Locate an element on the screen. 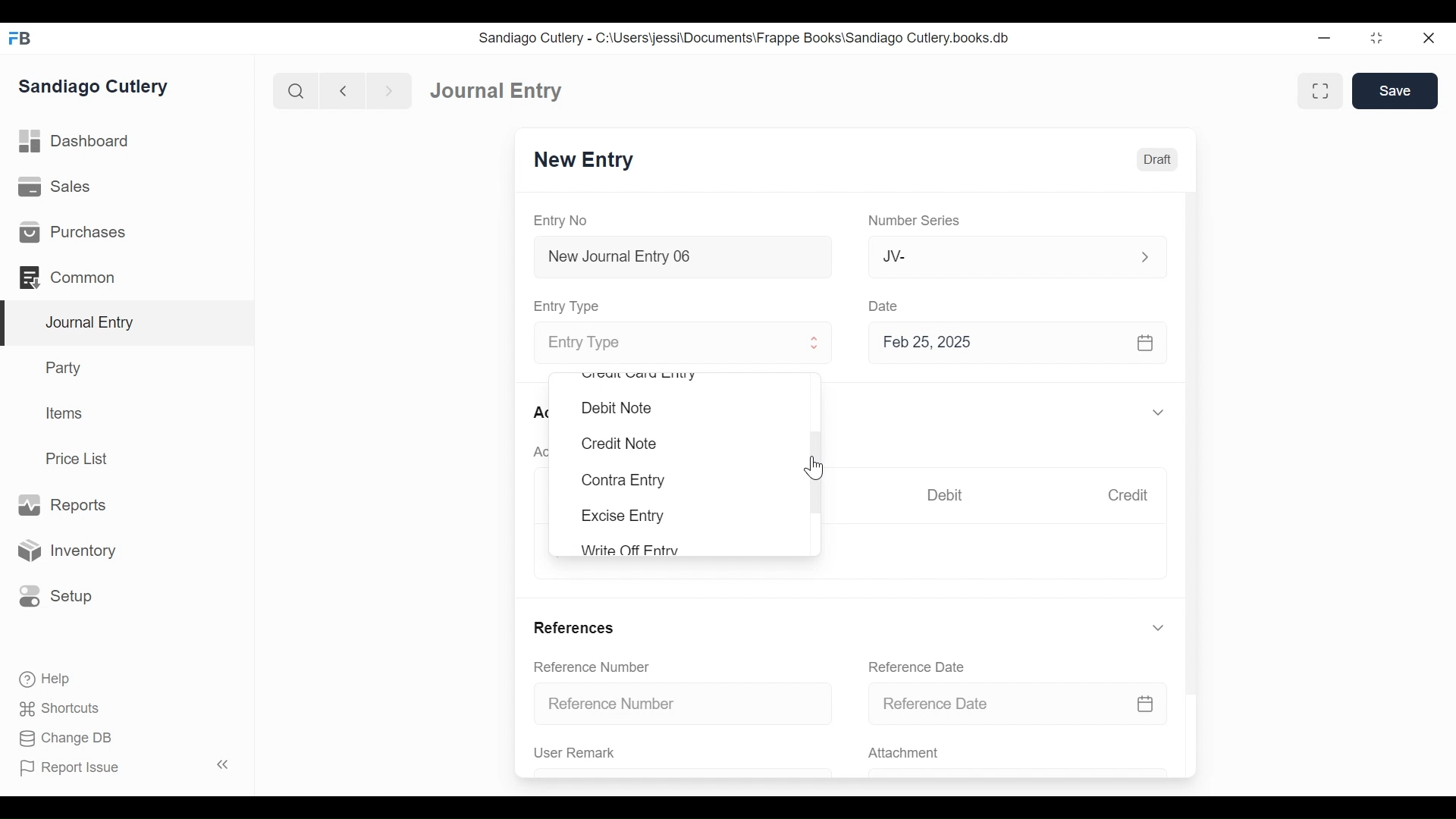 The width and height of the screenshot is (1456, 819). Reference Number is located at coordinates (684, 702).